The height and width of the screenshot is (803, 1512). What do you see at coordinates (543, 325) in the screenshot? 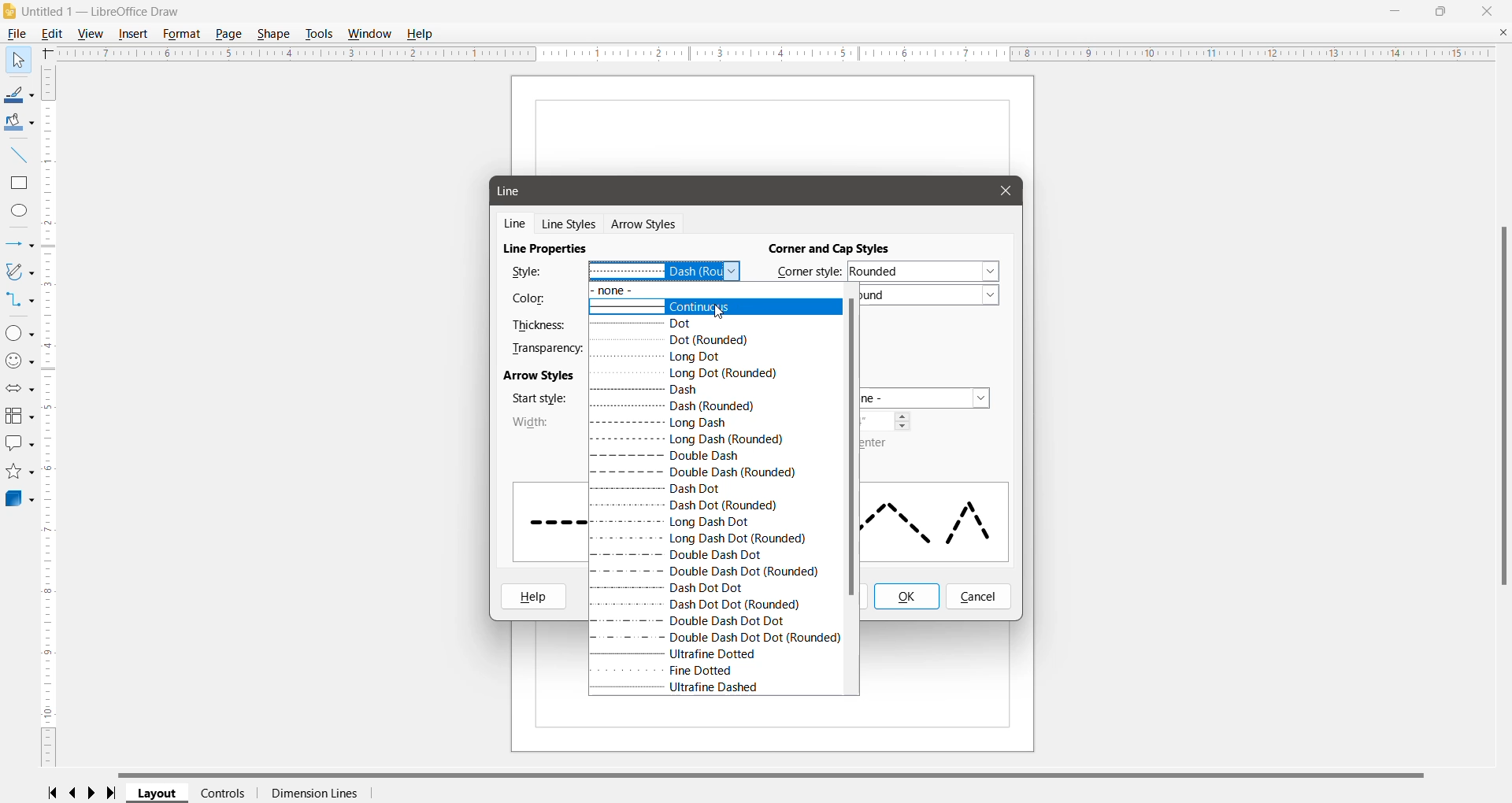
I see `Thickness` at bounding box center [543, 325].